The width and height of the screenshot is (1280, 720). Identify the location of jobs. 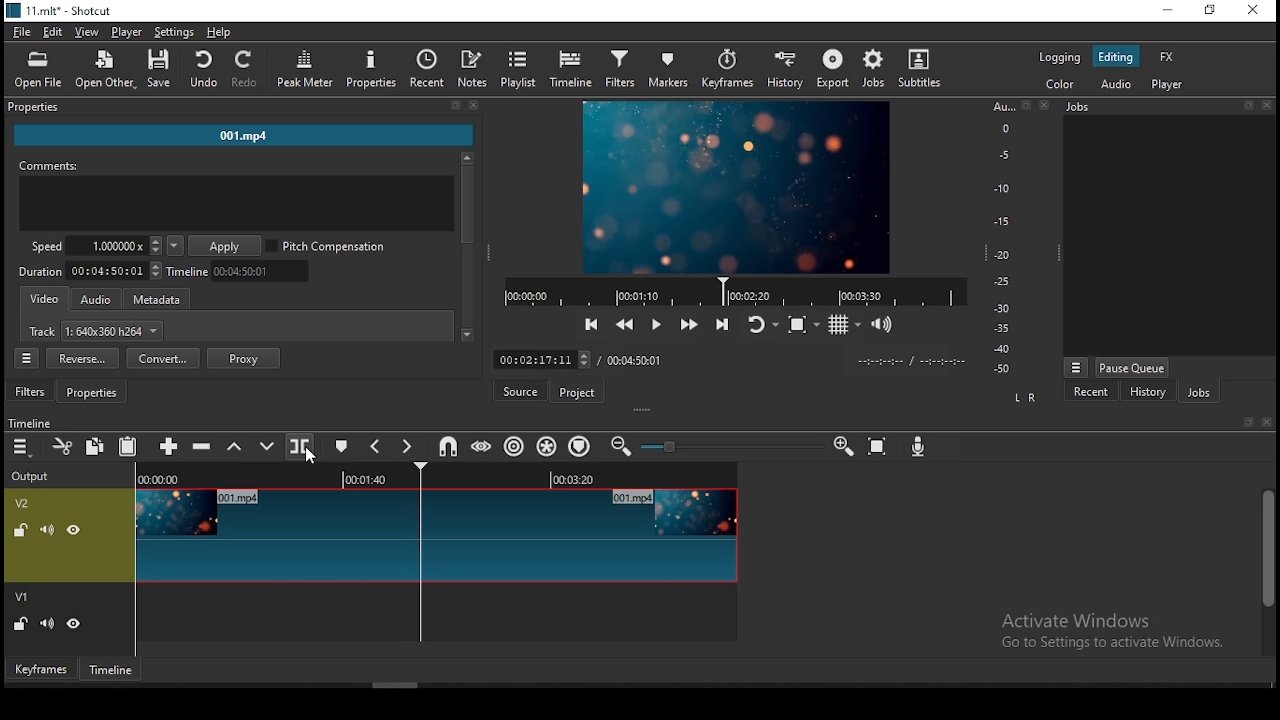
(878, 69).